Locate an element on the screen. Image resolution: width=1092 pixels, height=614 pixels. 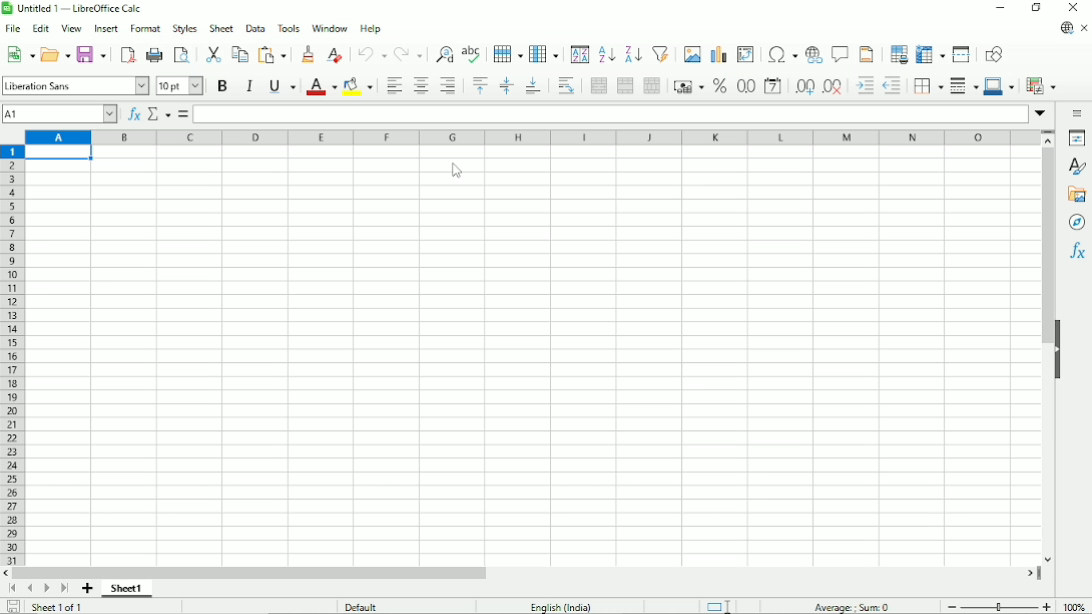
Standard selection is located at coordinates (717, 605).